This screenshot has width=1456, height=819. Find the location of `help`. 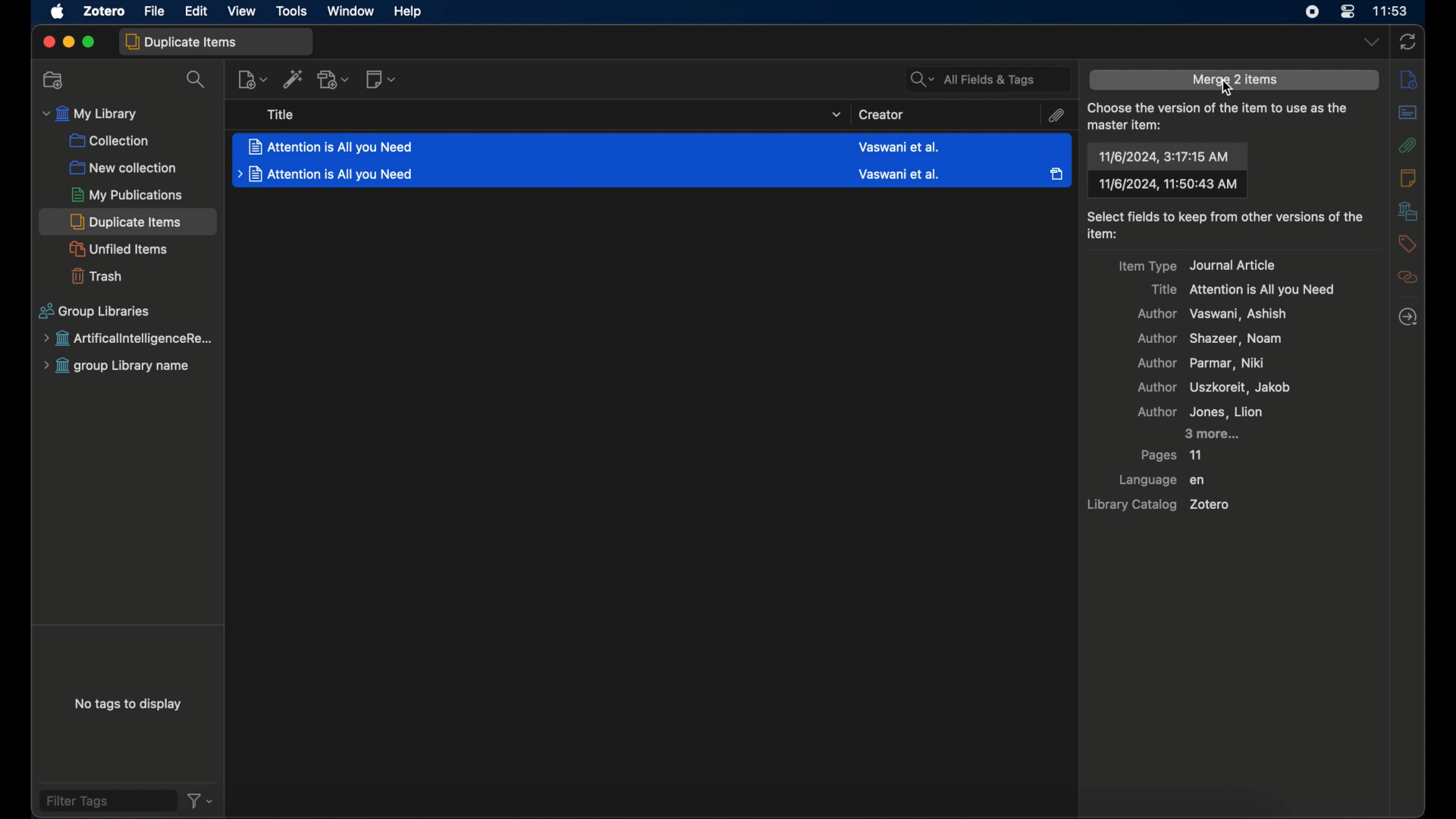

help is located at coordinates (409, 12).